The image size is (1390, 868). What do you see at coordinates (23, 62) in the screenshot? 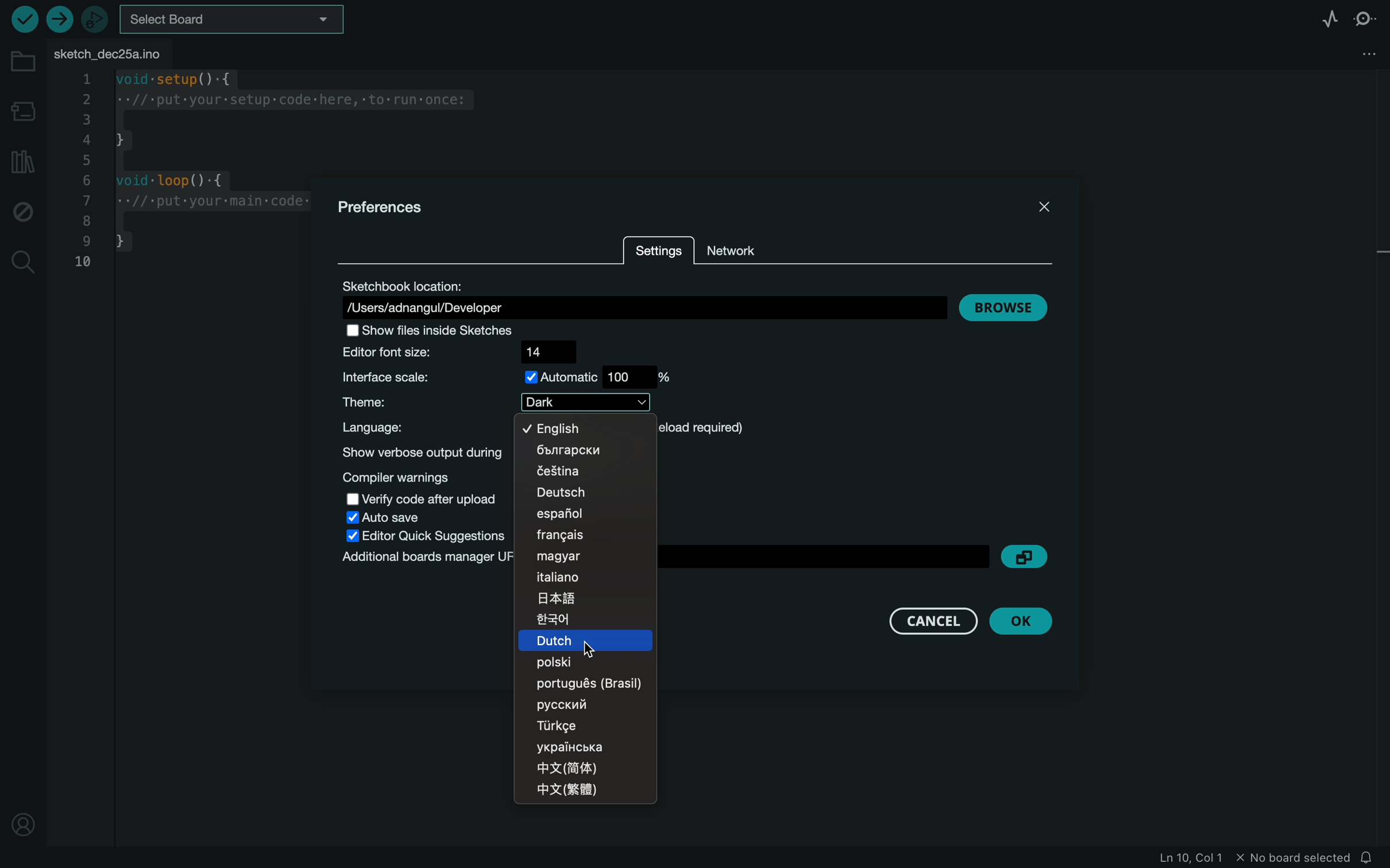
I see `folder` at bounding box center [23, 62].